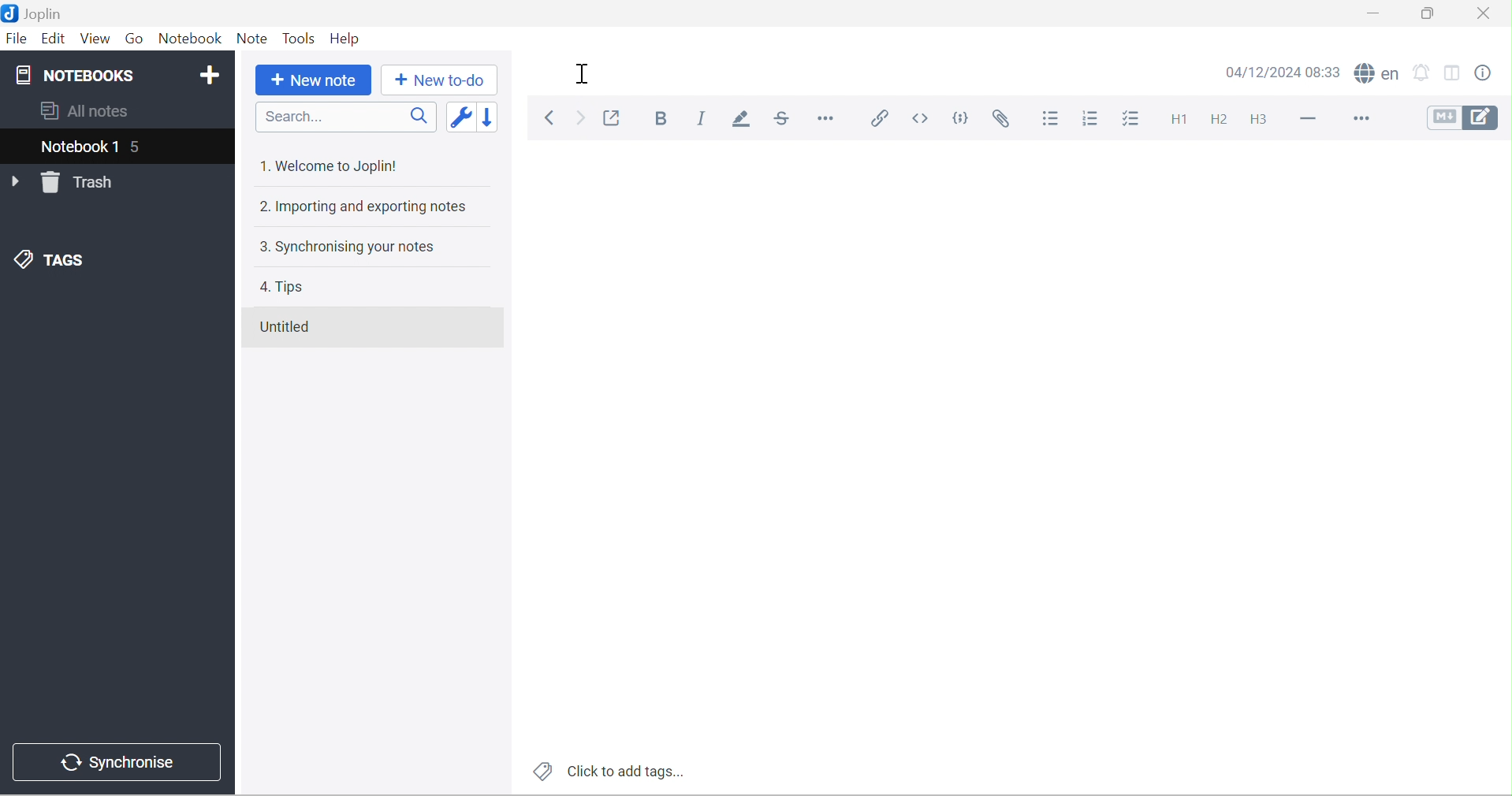  What do you see at coordinates (919, 119) in the screenshot?
I see `Inline code` at bounding box center [919, 119].